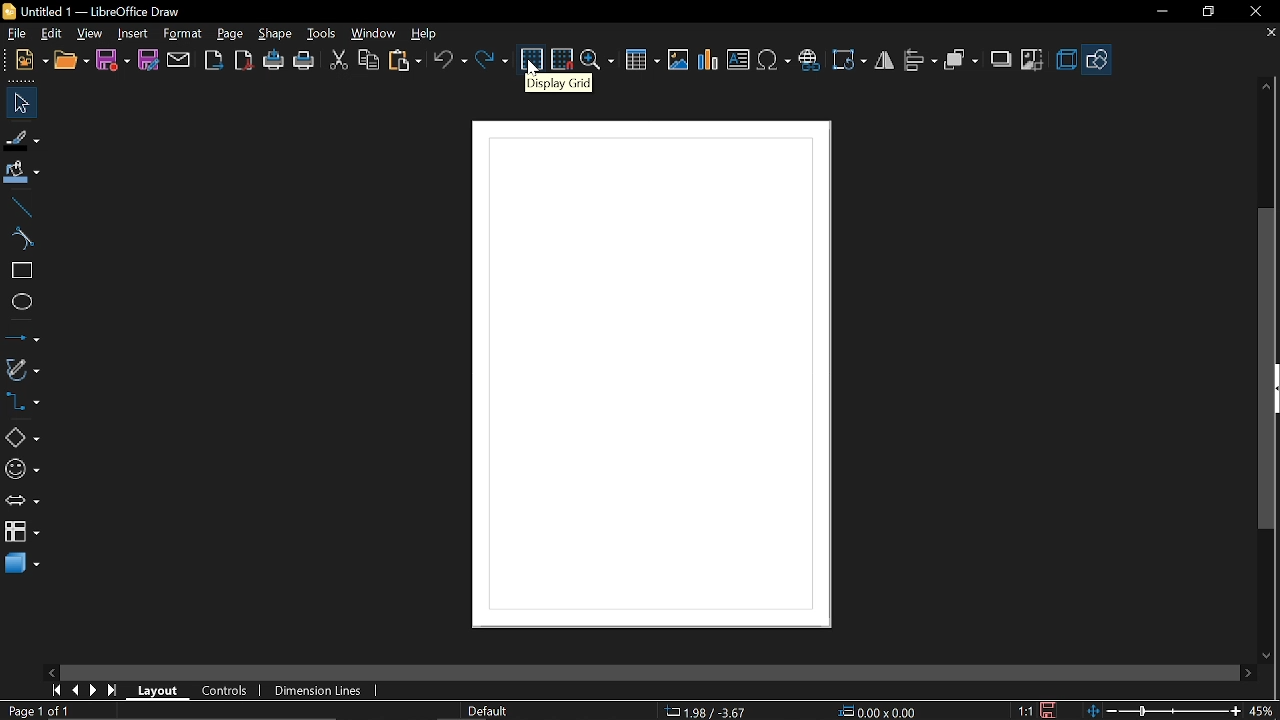 This screenshot has height=720, width=1280. I want to click on Import, so click(213, 62).